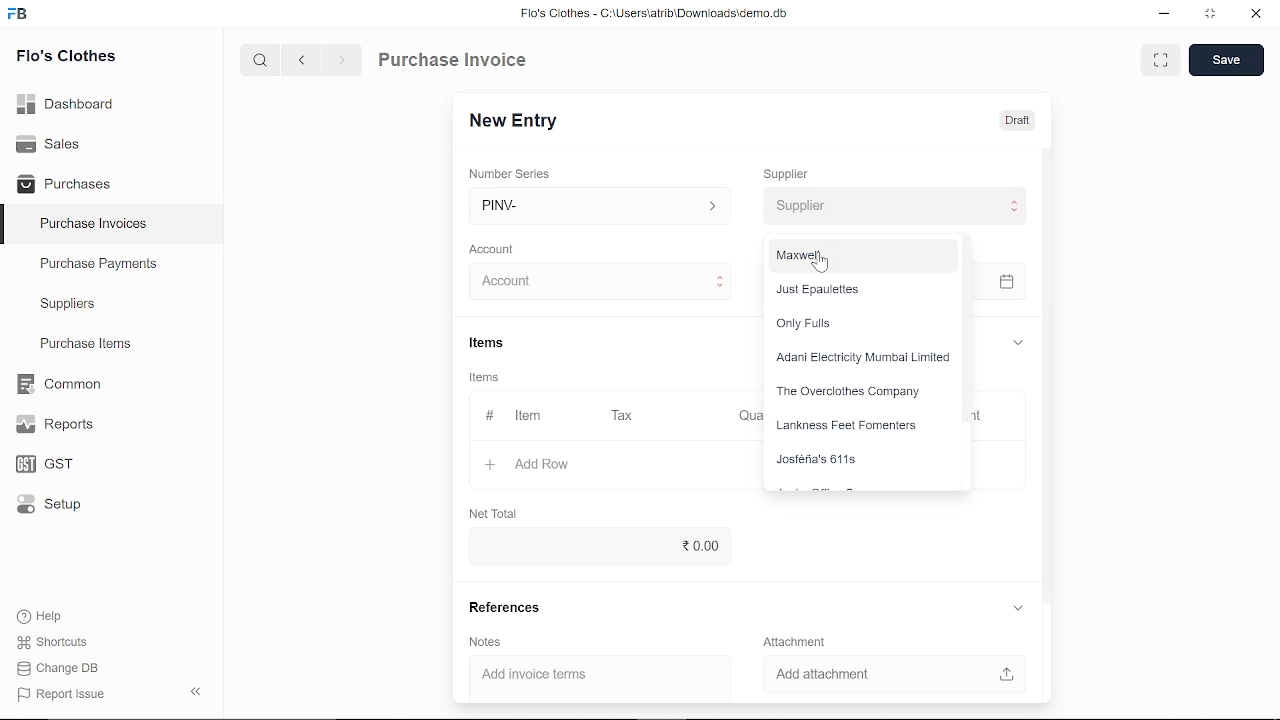 The image size is (1280, 720). I want to click on J Report Issue, so click(58, 694).